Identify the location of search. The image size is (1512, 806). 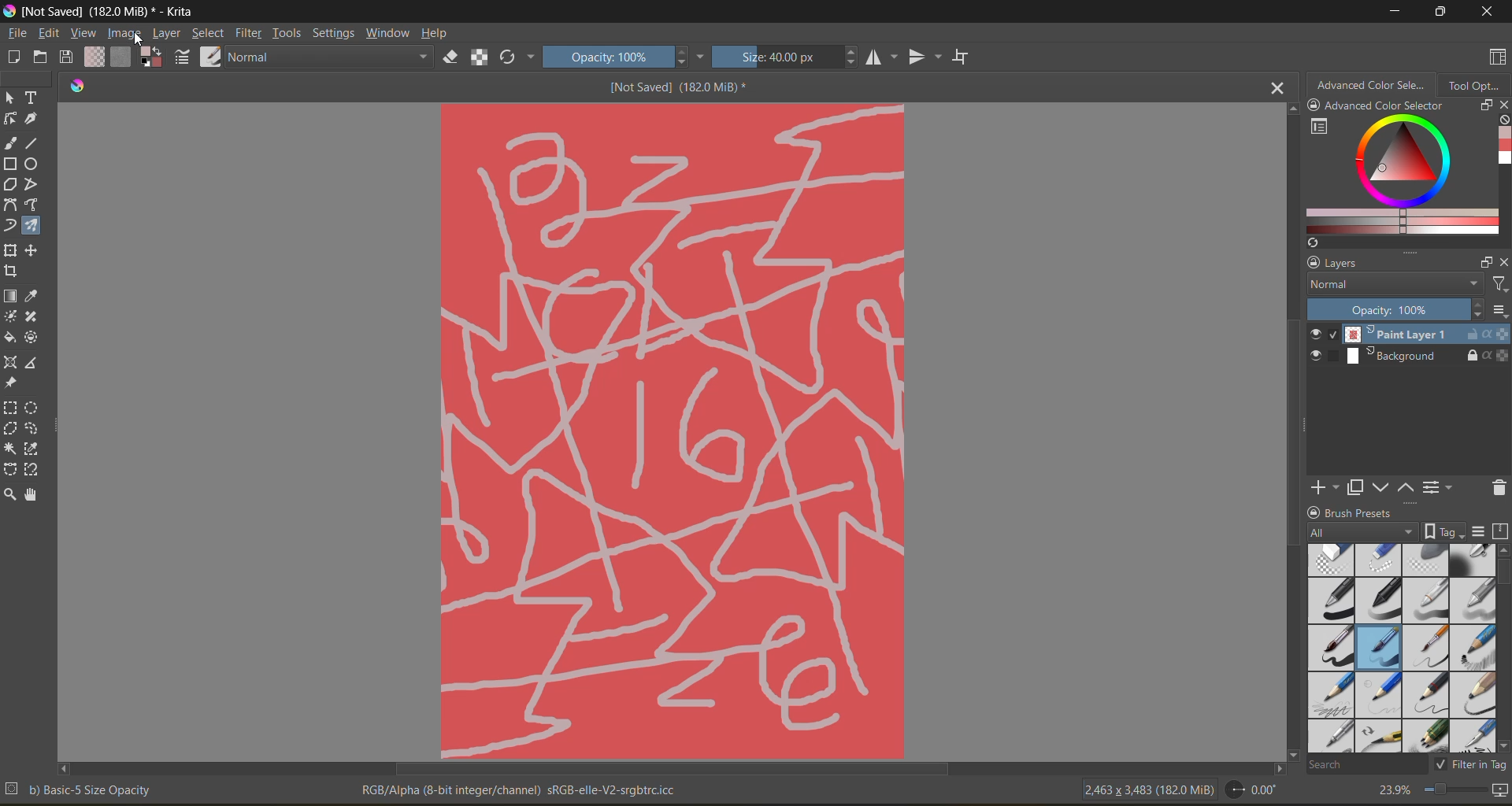
(1360, 765).